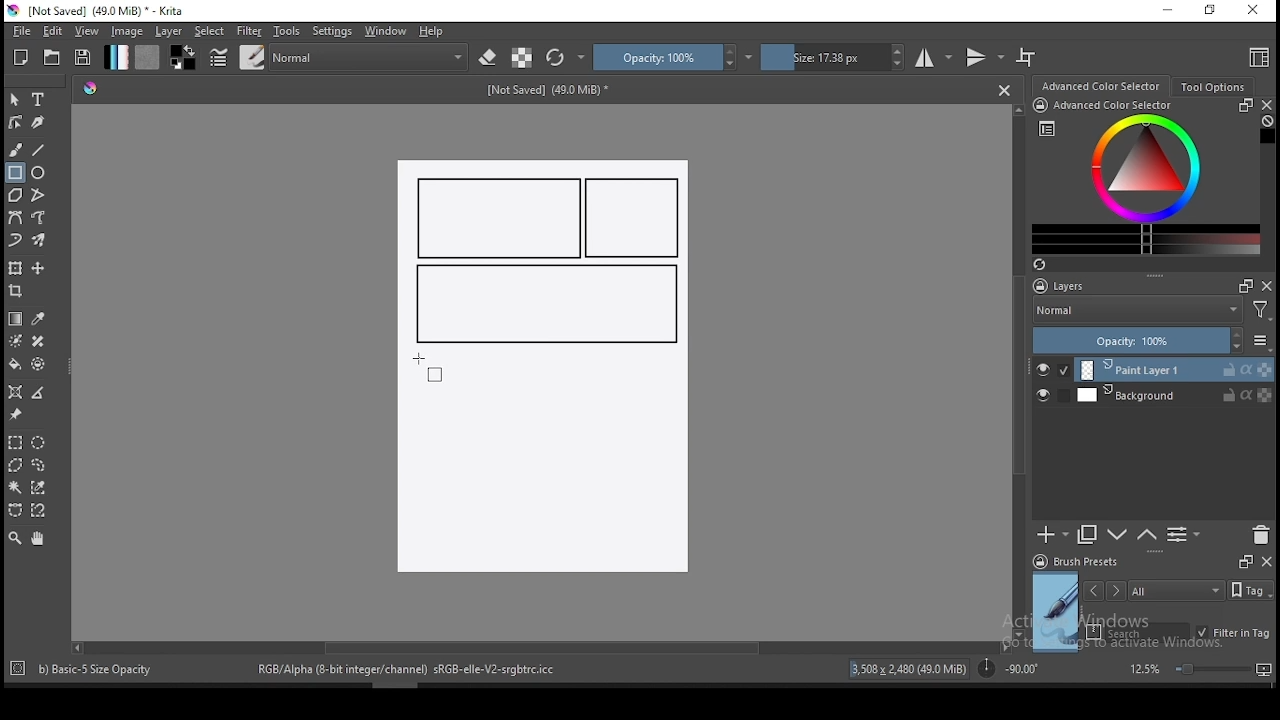 The height and width of the screenshot is (720, 1280). What do you see at coordinates (90, 88) in the screenshot?
I see `Hue` at bounding box center [90, 88].